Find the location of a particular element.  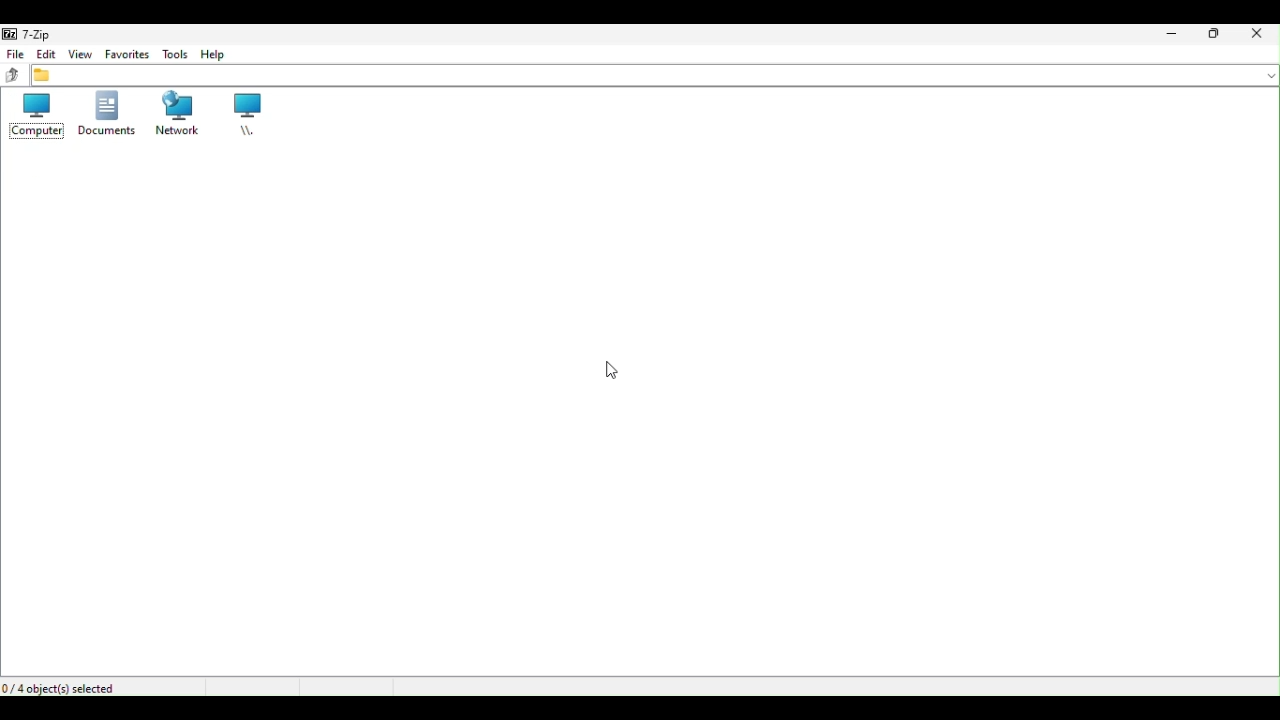

file is located at coordinates (14, 53).